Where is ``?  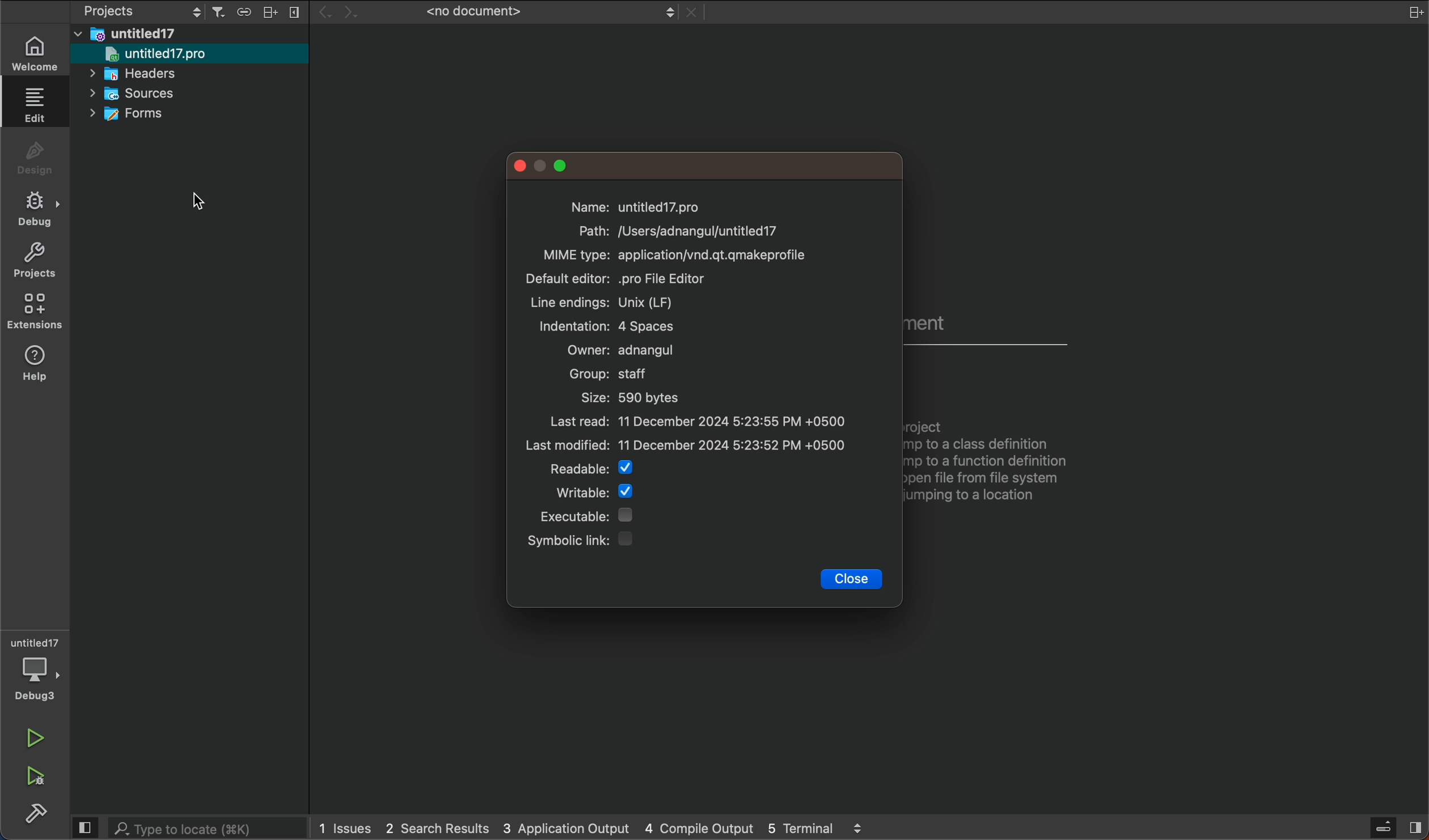
 is located at coordinates (269, 12).